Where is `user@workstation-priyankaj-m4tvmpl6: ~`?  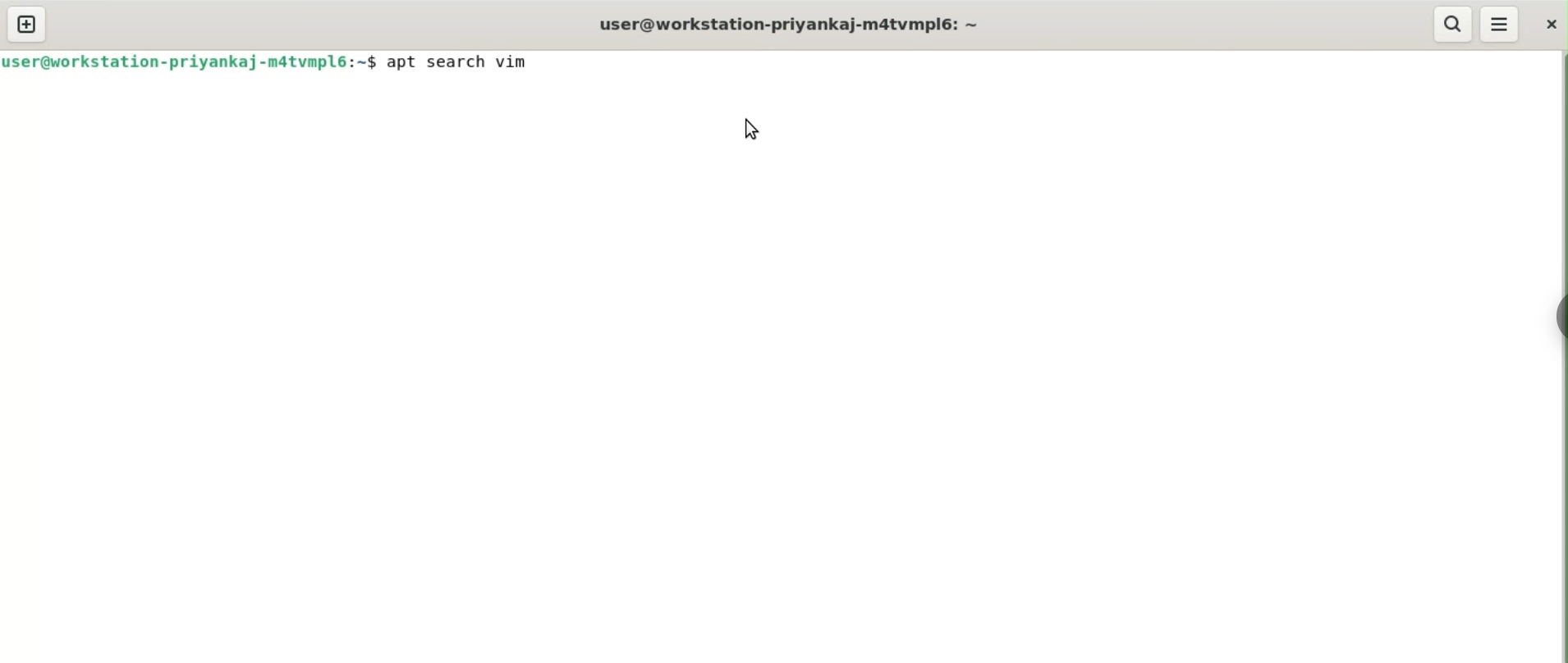
user@workstation-priyankaj-m4tvmpl6: ~ is located at coordinates (790, 24).